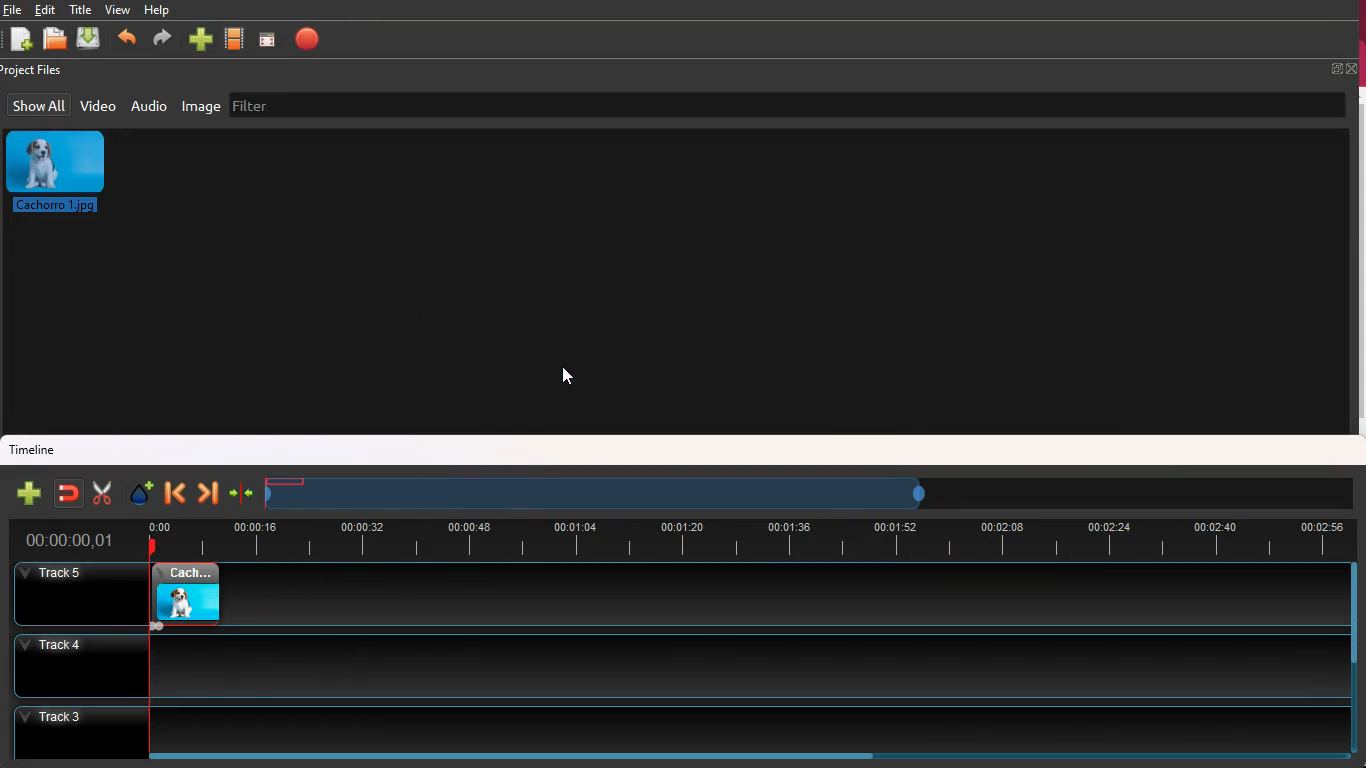 This screenshot has width=1366, height=768. Describe the element at coordinates (101, 491) in the screenshot. I see `cut` at that location.